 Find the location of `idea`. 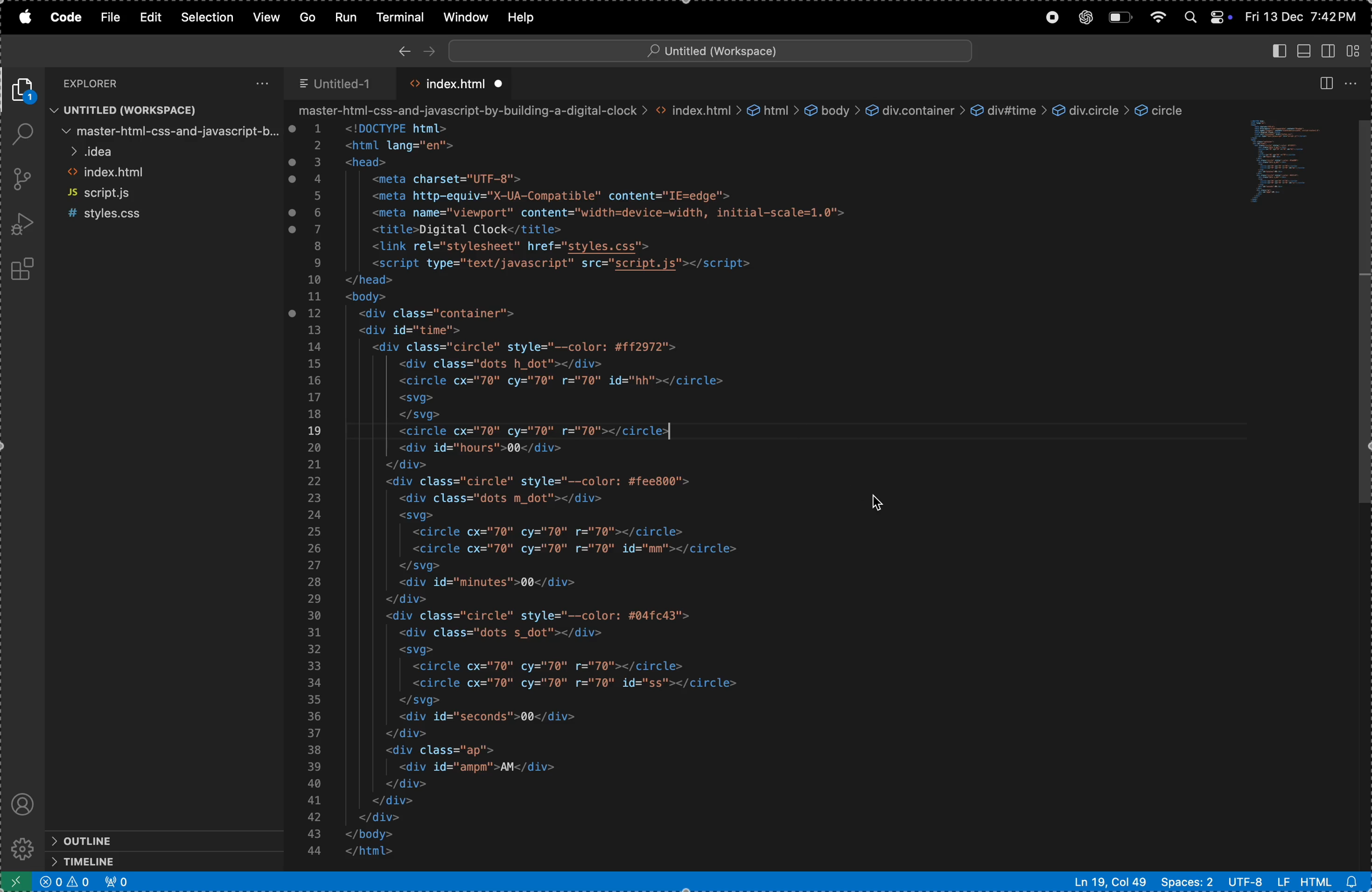

idea is located at coordinates (164, 153).